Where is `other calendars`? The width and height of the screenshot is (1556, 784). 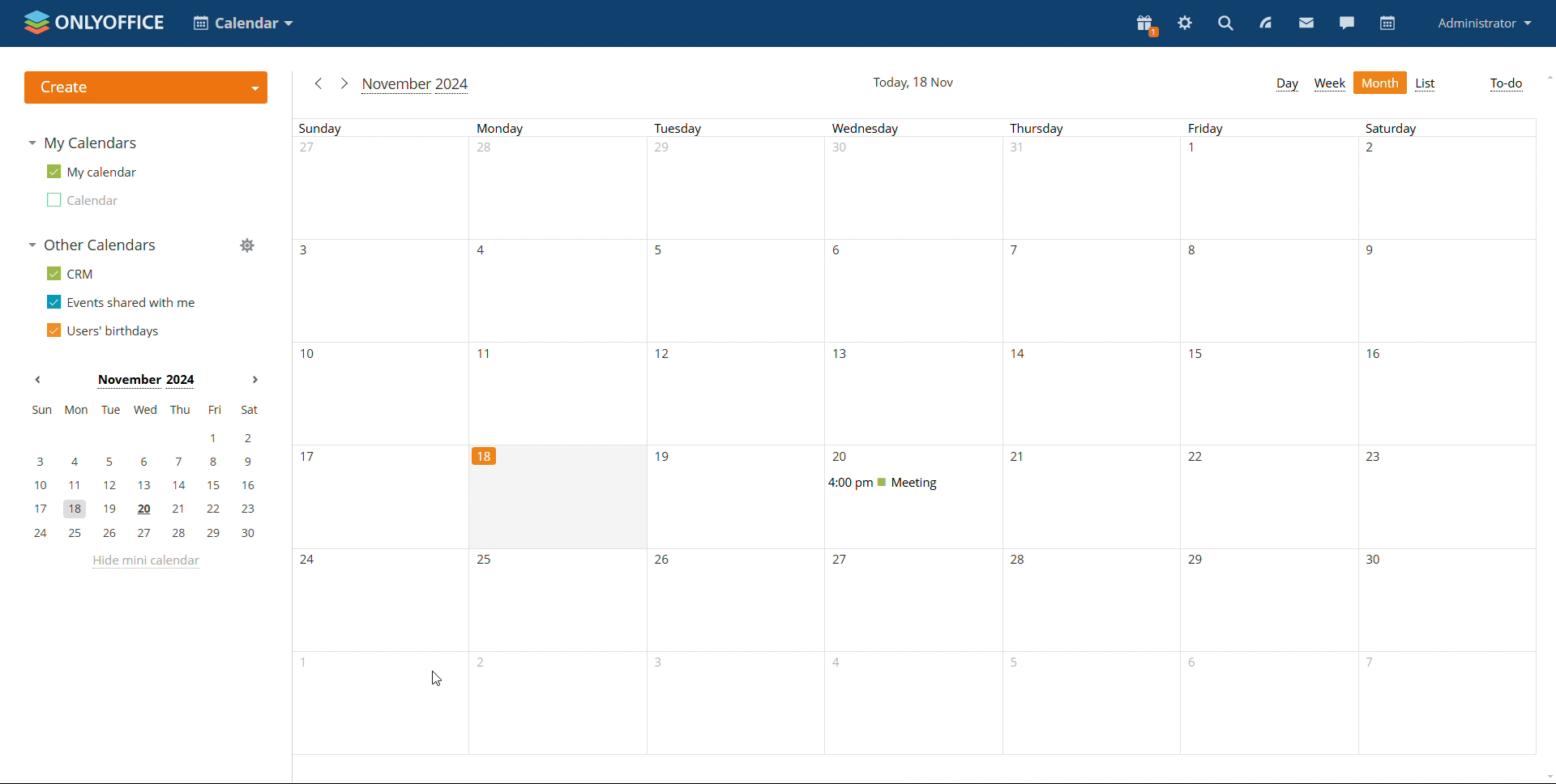
other calendars is located at coordinates (92, 245).